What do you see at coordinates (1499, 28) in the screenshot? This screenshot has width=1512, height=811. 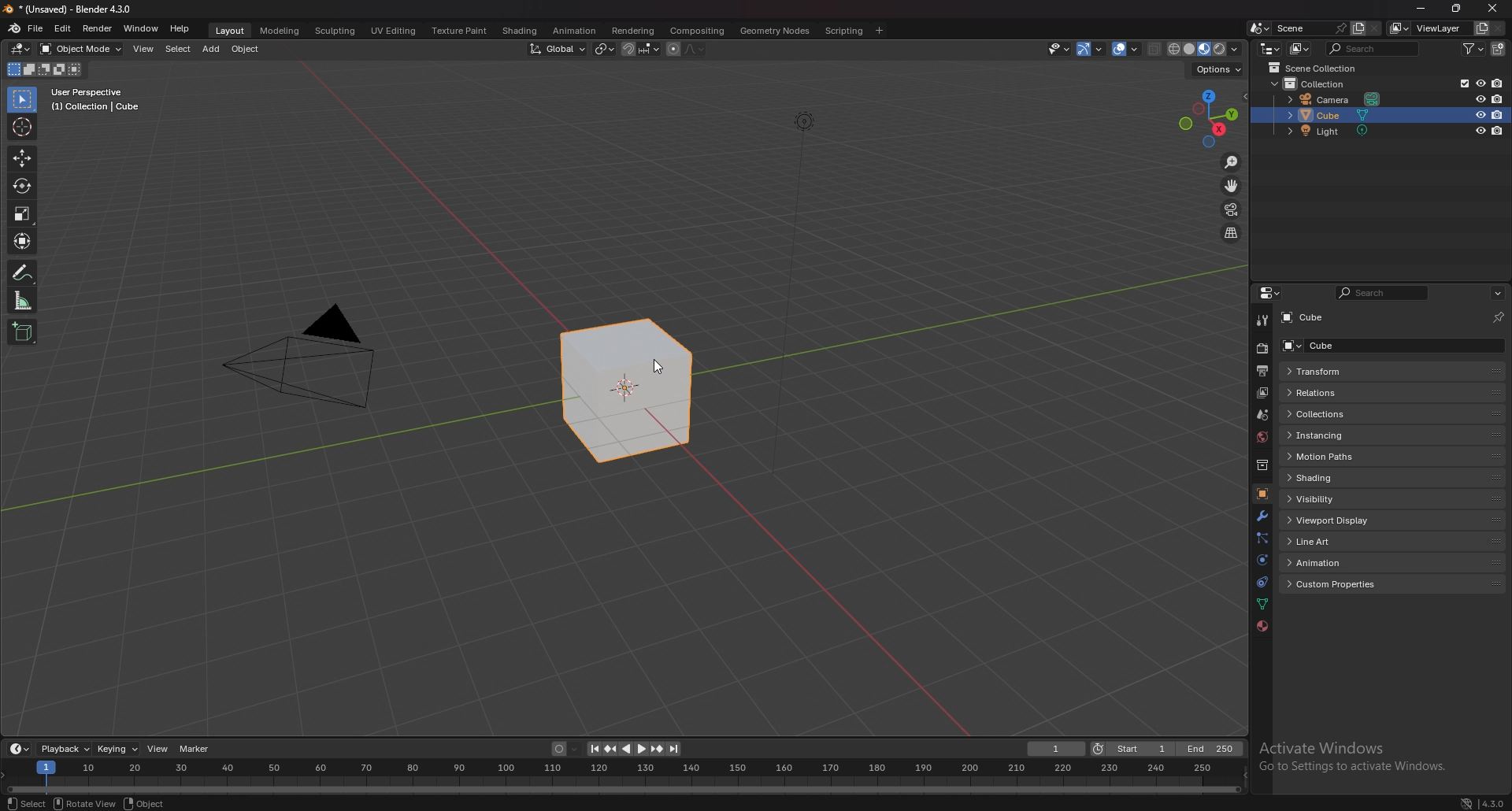 I see `remove view layer` at bounding box center [1499, 28].